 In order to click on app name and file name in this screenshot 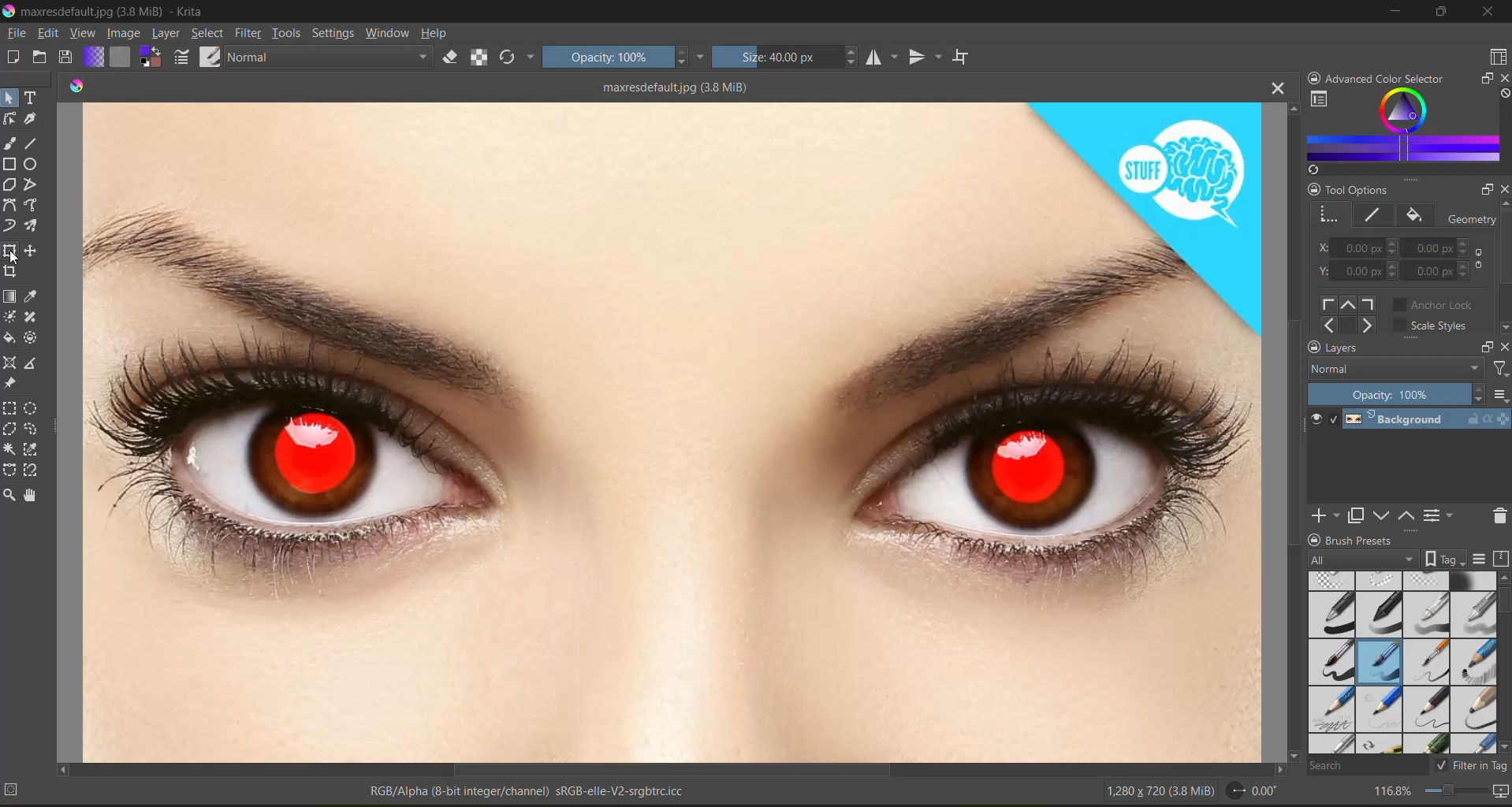, I will do `click(109, 13)`.